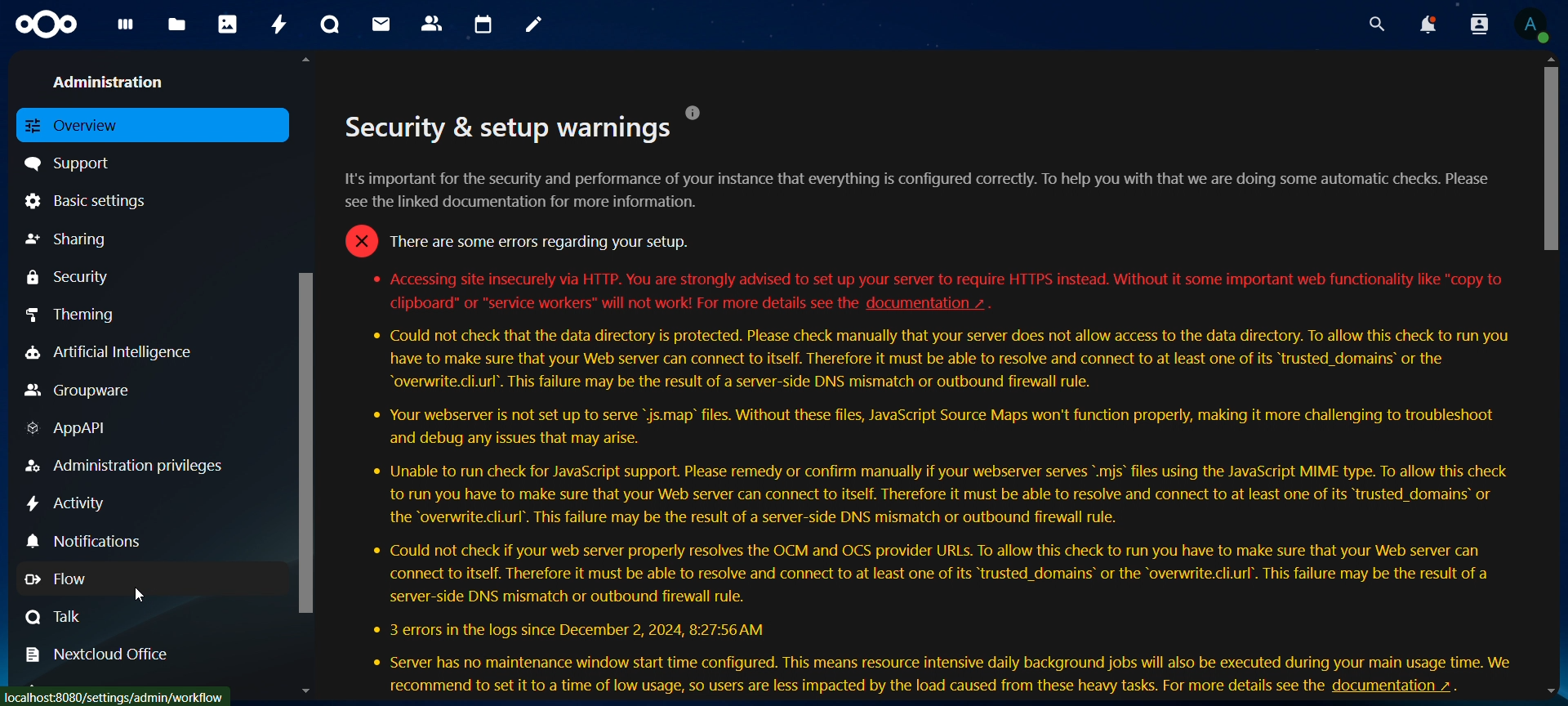 The height and width of the screenshot is (706, 1568). I want to click on . . [J]
Security & setup warnings
It's important for the security and performance of your instance that everything is configured correctly. To help you with that we are doing some automatic checks. Please
see the linked documentation for more information.
x] There are some errors regarding your setup.

* Accessing site insecurely via HTTP. You are strongly advised to set up your server to require HTTPS instead. Without it some important web functionality like “copy to
clipboard” or "service workers" will not work! For more details see the documentation ~ .

* Could not check that the data directory is protected. Please check manually that your server does not allow access to the data directory. To allow this check to run you
have to make sure that your Web server can connect to itself. Therefore it must be able to resolve and connect to at least one of its “trusted_domains™ or the
“overwrite.cli.url”. This failure may be the result of a server-side DNS mismatch or outbound firewall rule.

* Your webserver is not set up to serve "js.map’ files. Without these files, JavaScript Source Maps won't function properly, making it more challenging to troubleshoot
and debug any issues that may arise.

* Unable to run check for JavaScript support. Please remedy or confirm manually if your webserver serves "mjs’ files using the JavaScript MIME type. To allow this check
to run you have to make sure that your Web server can connect to itself. Therefore it must be able to resolve and connect to at least one of its “trusted_domains’ or

] the “overwrite.cli.url’. This failure may be the result of a server-side DNS mismatch or outbound firewall rule.

* Could not check if your web server properly resolves the OCM and OCS provider URLs. To allow this check to run you have to make sure that your Web server can
connect to itself. Therefore it must be able to resolve and connect to at least one of its “trusted_domains’ or the “overwrite.cli.url’. This failure may be the result of a
server-side DNS mismatch or outbound firewall rule.

* 3 errors in the logs since December 2, 2024, 8:27:56 AM

* Server has no maintenance window start time configured. This means resource intensive daily background jobs will also be executed during your main usage time. We

~ recommend to set it to a time of low usage, so users are less impacted by the load caused from these heavy tasks. For more details see the documentation ~ ., so click(935, 378).